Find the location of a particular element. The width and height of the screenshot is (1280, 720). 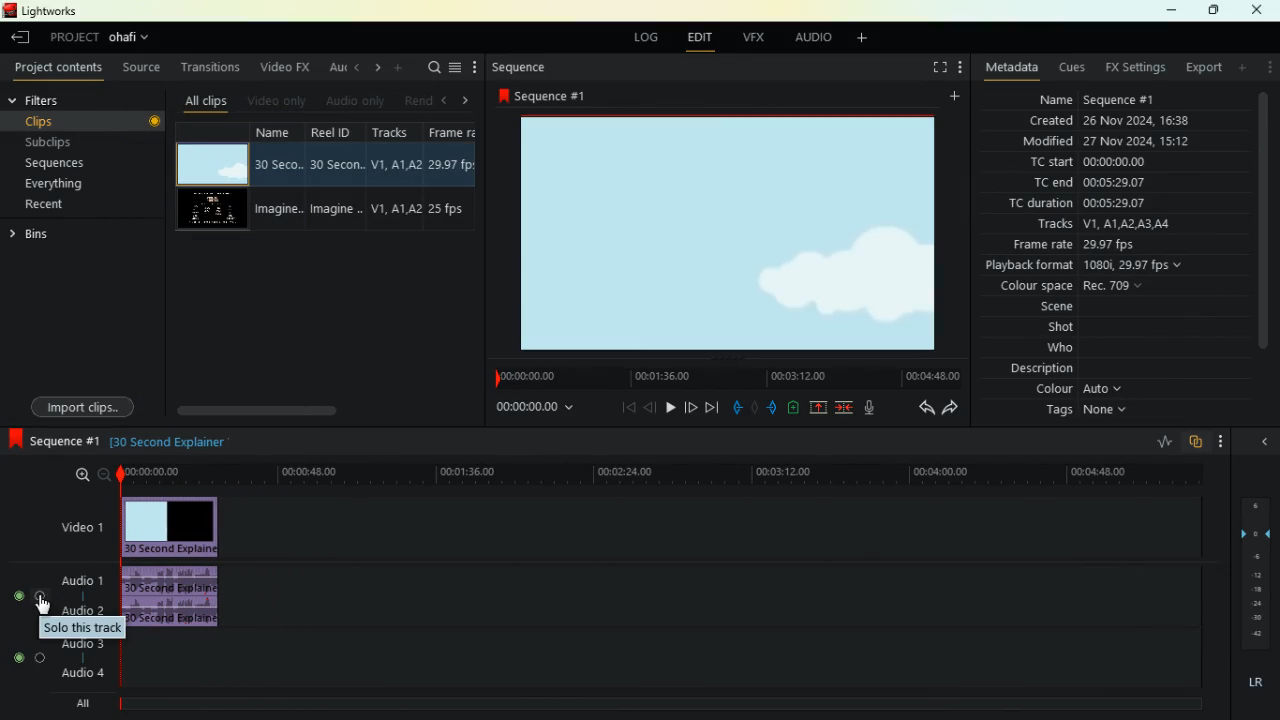

overlap is located at coordinates (1198, 440).